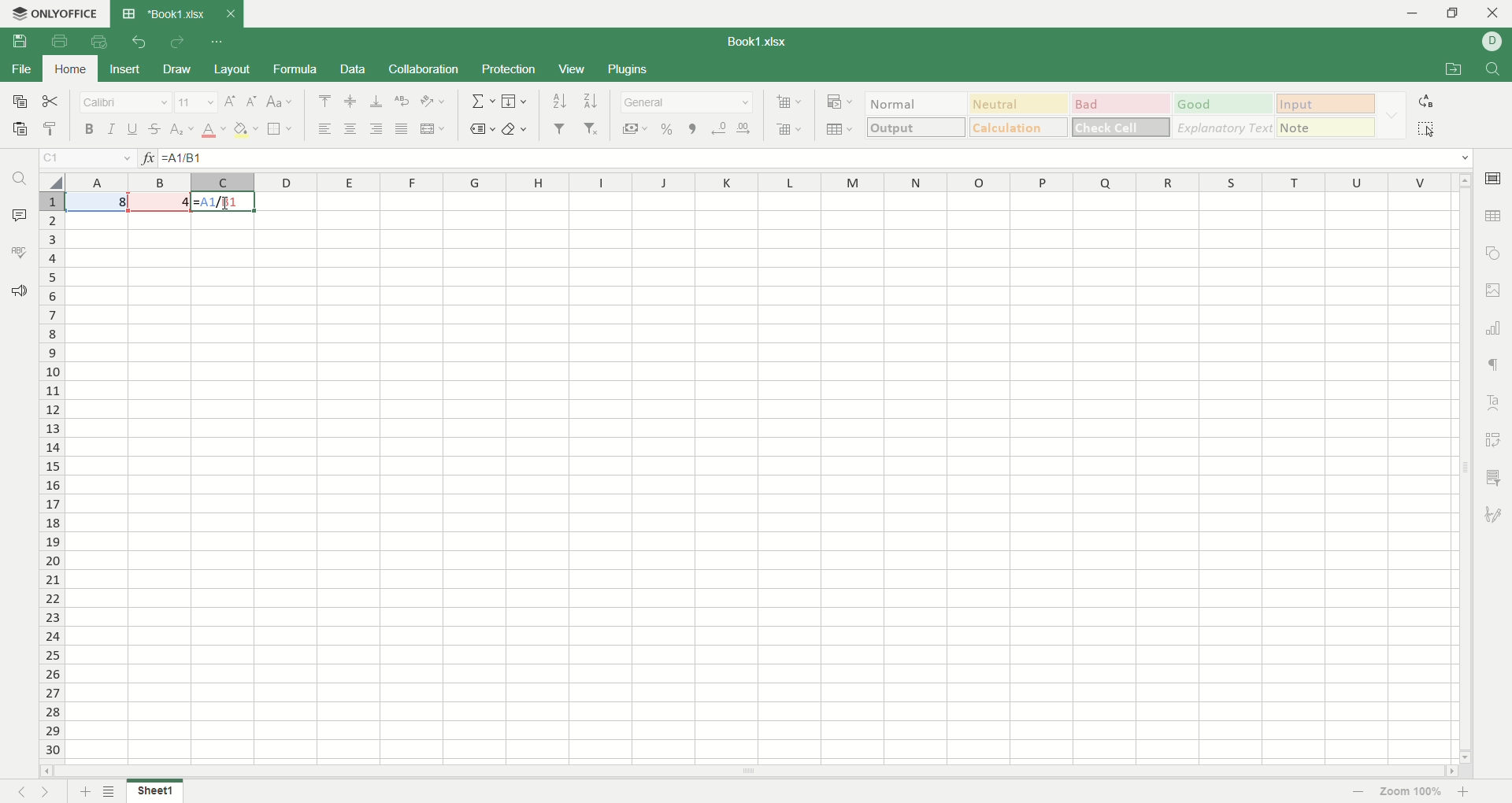 This screenshot has height=803, width=1512. I want to click on =A1/B1, so click(210, 158).